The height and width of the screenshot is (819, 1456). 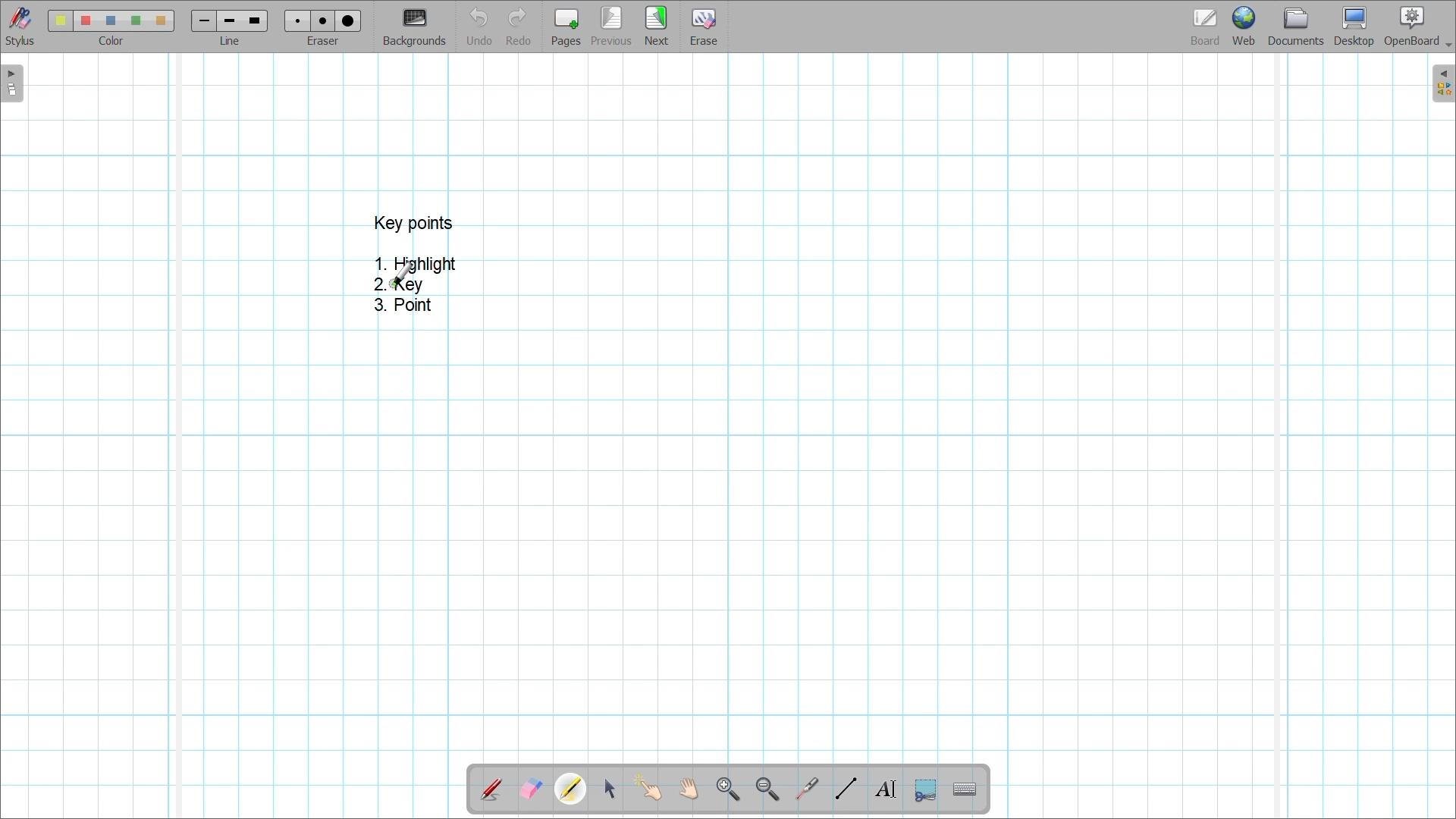 I want to click on Write text, so click(x=885, y=789).